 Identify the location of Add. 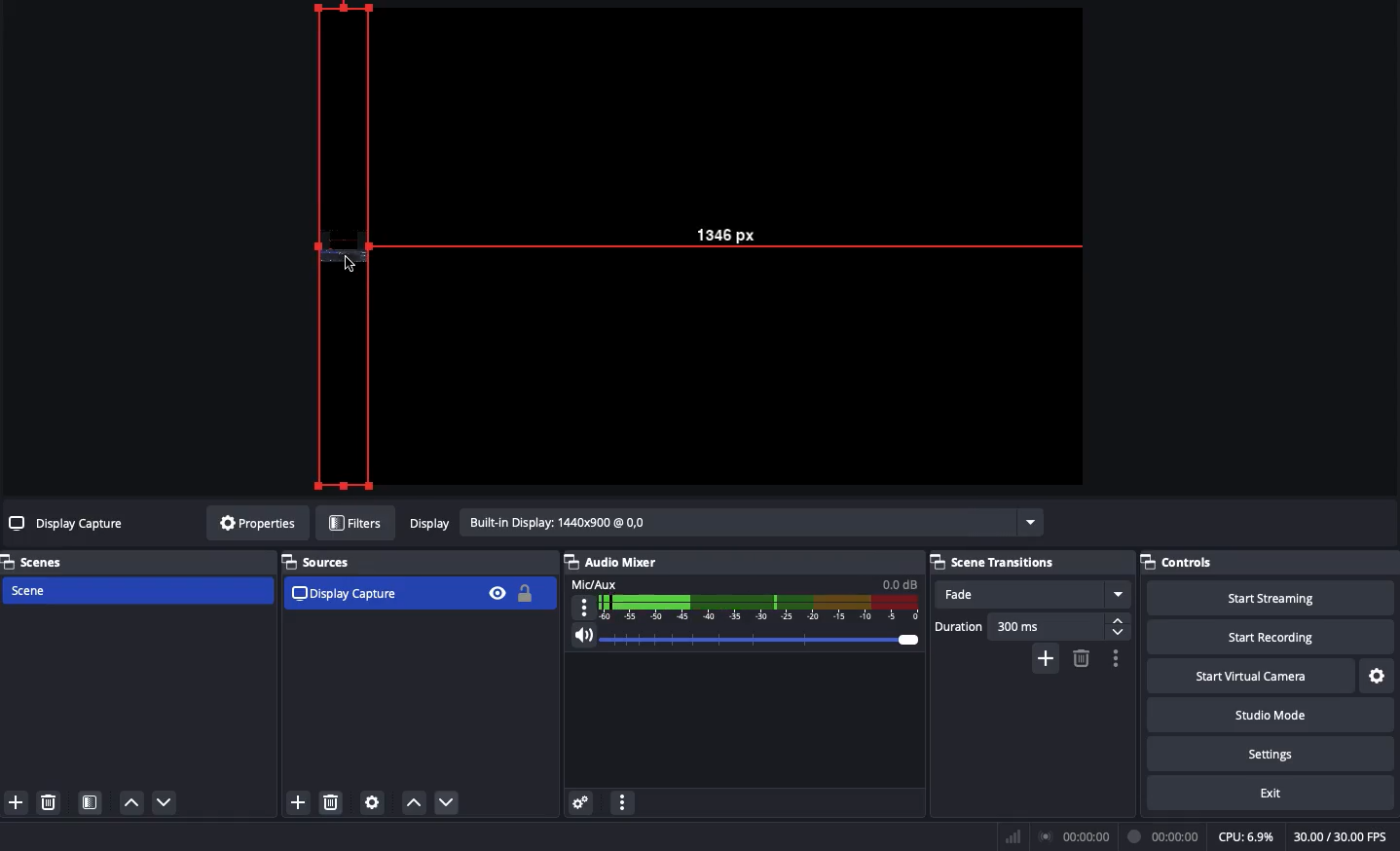
(15, 803).